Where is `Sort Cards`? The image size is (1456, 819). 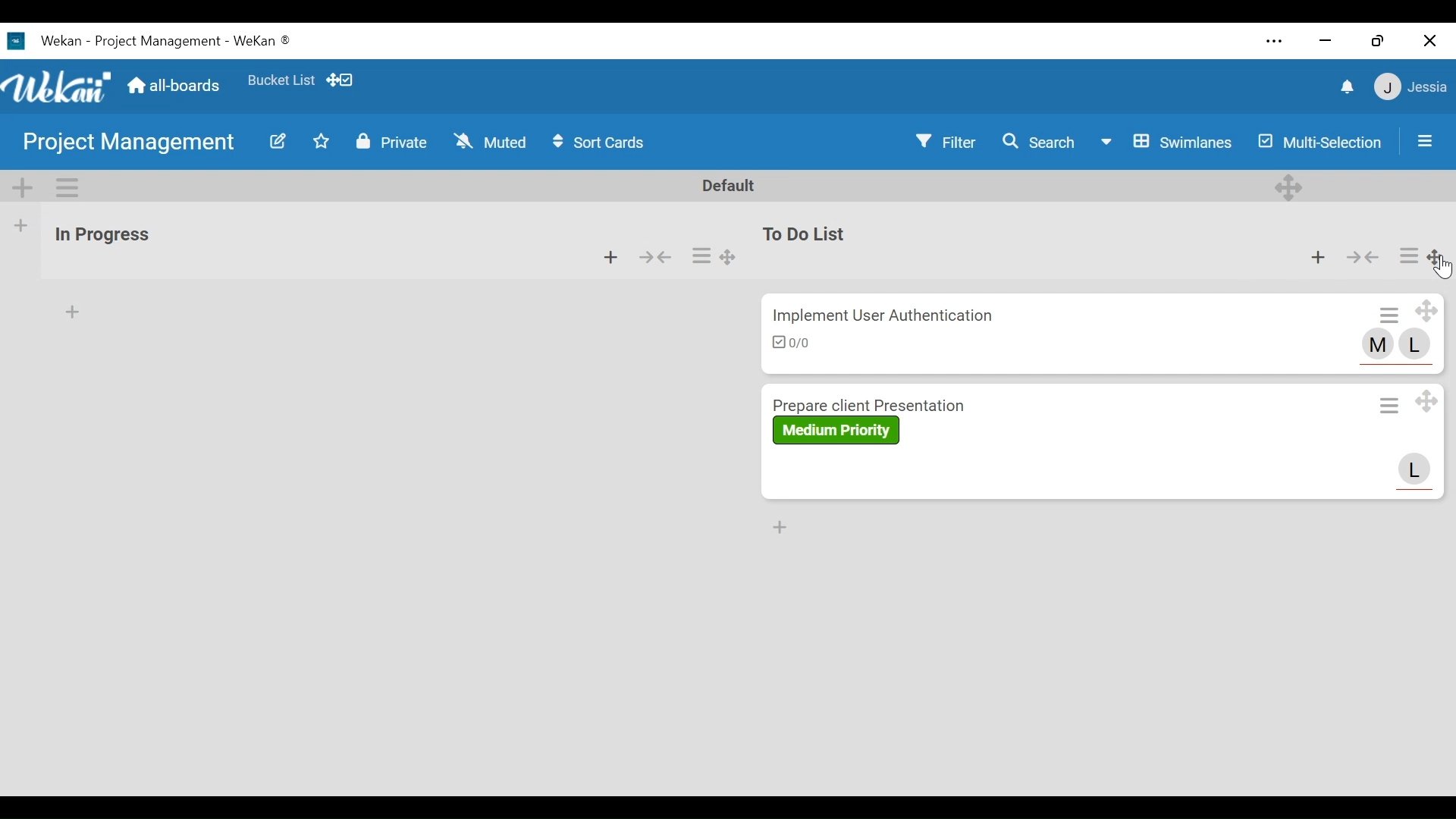
Sort Cards is located at coordinates (598, 143).